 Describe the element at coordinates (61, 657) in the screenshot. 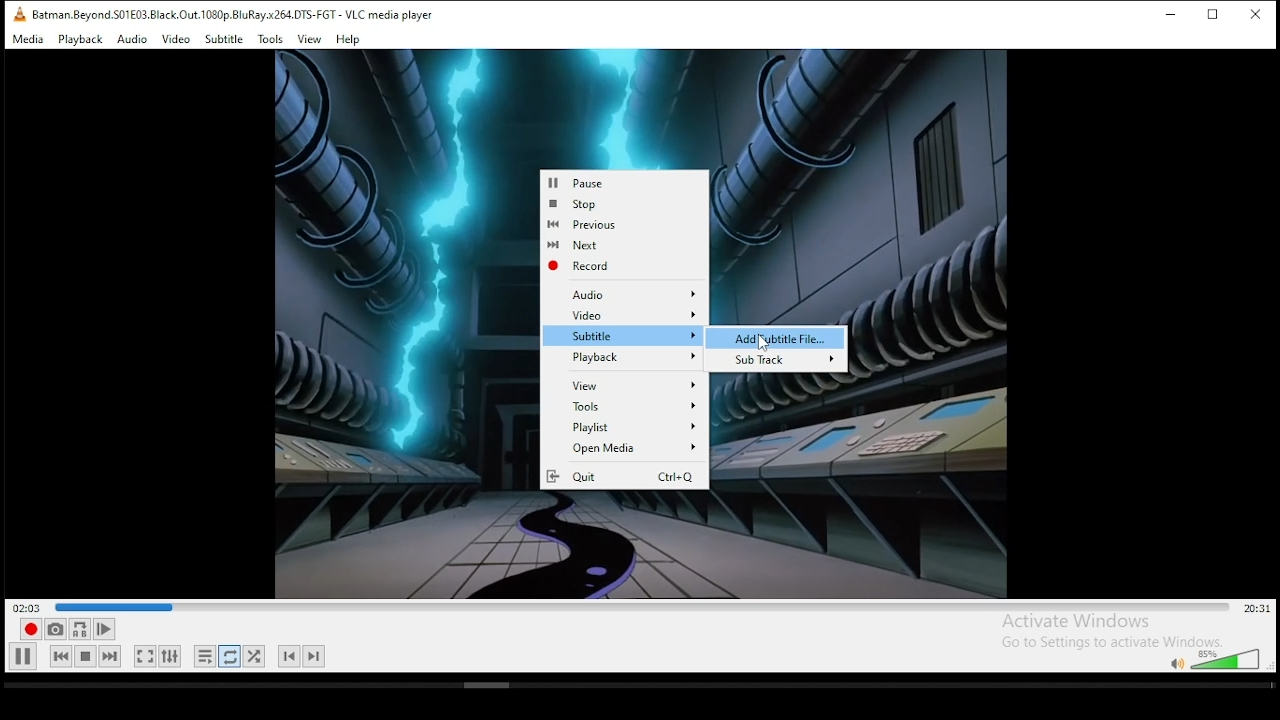

I see `previous media in playlist, skips backward when held` at that location.